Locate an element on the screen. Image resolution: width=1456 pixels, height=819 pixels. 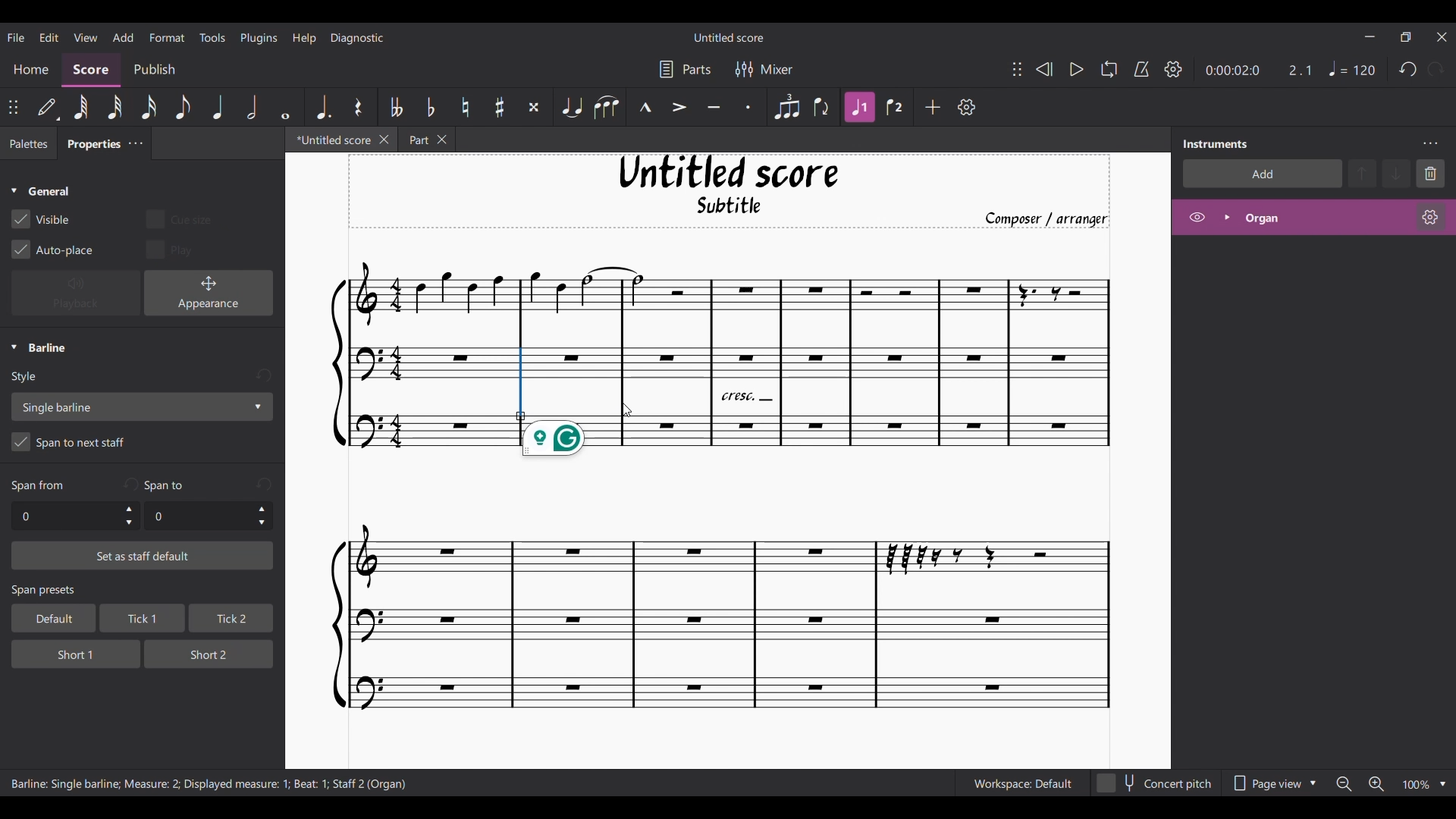
Current score is located at coordinates (712, 591).